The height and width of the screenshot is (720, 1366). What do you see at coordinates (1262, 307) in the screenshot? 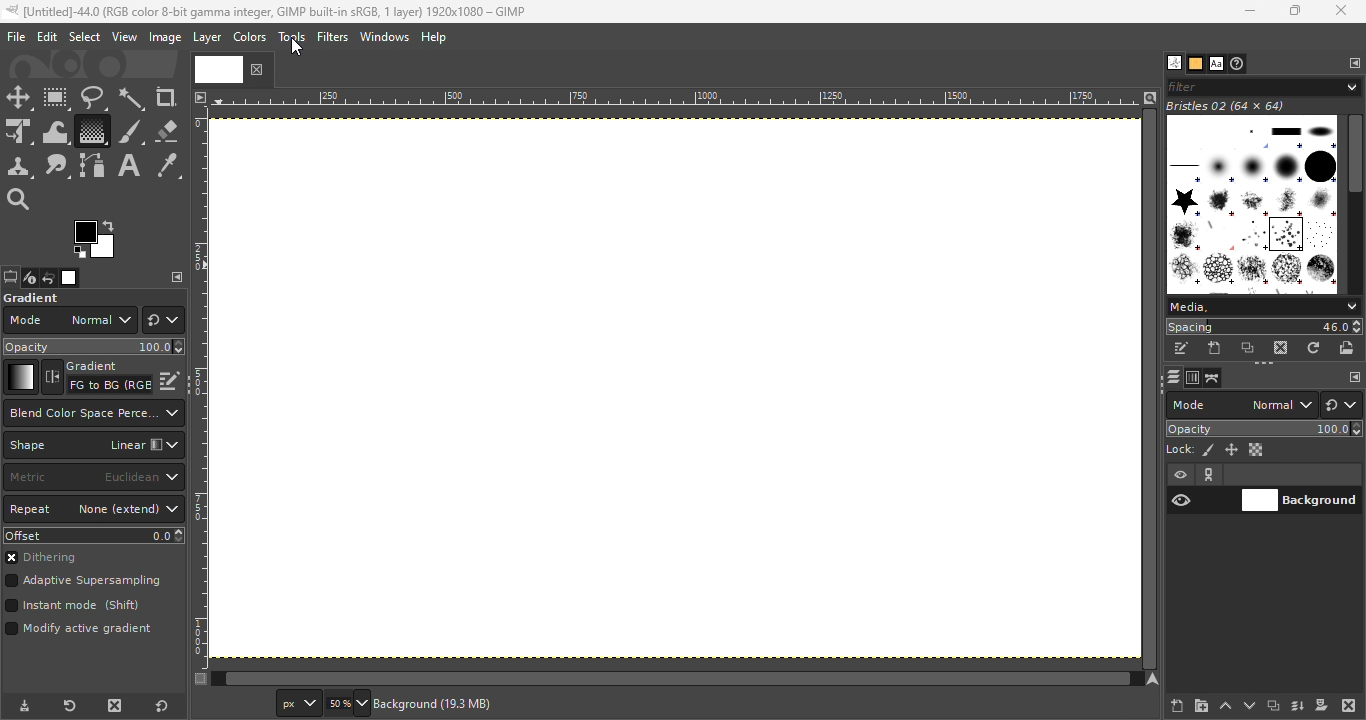
I see `Media` at bounding box center [1262, 307].